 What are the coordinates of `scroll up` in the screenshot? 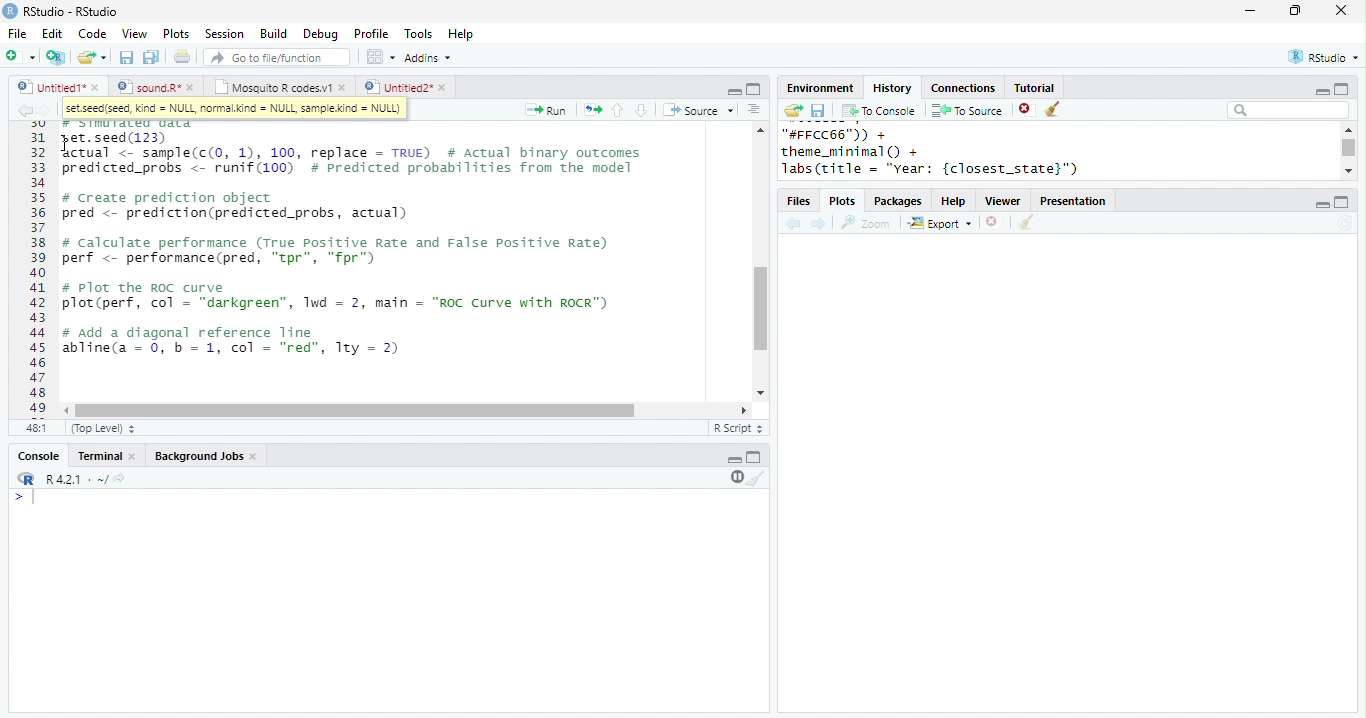 It's located at (759, 129).